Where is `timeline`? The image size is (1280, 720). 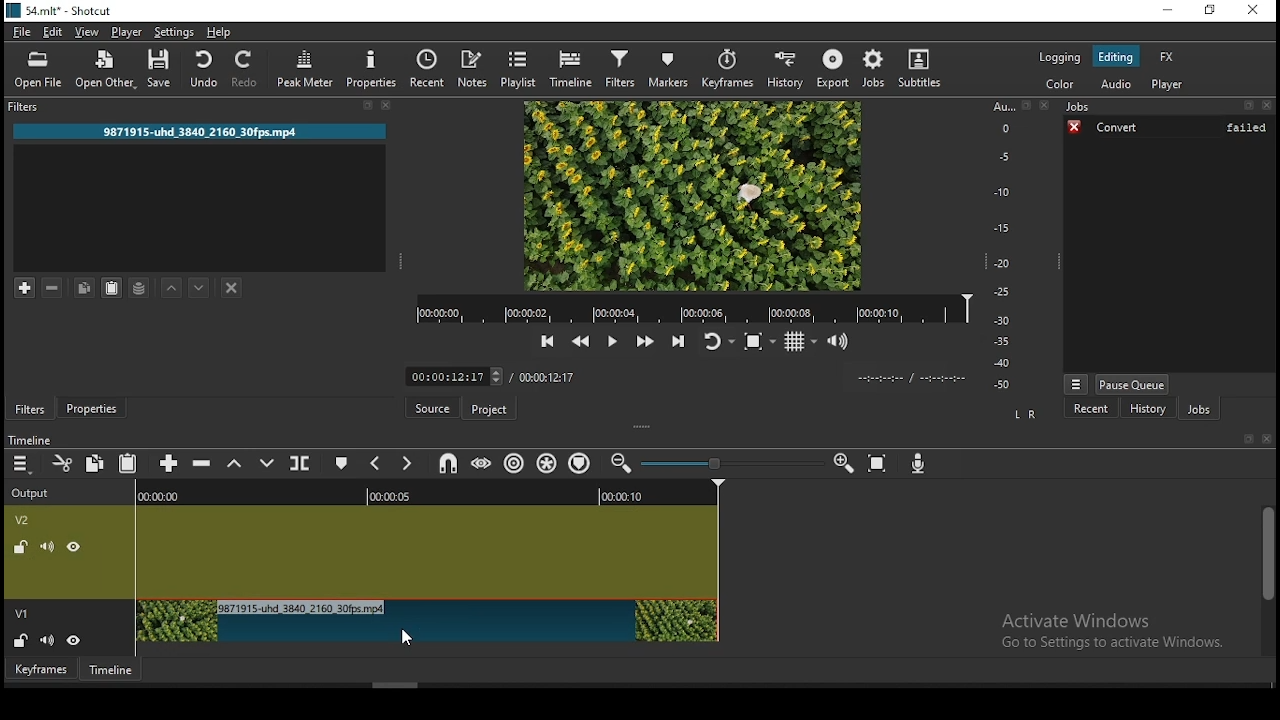
timeline is located at coordinates (573, 70).